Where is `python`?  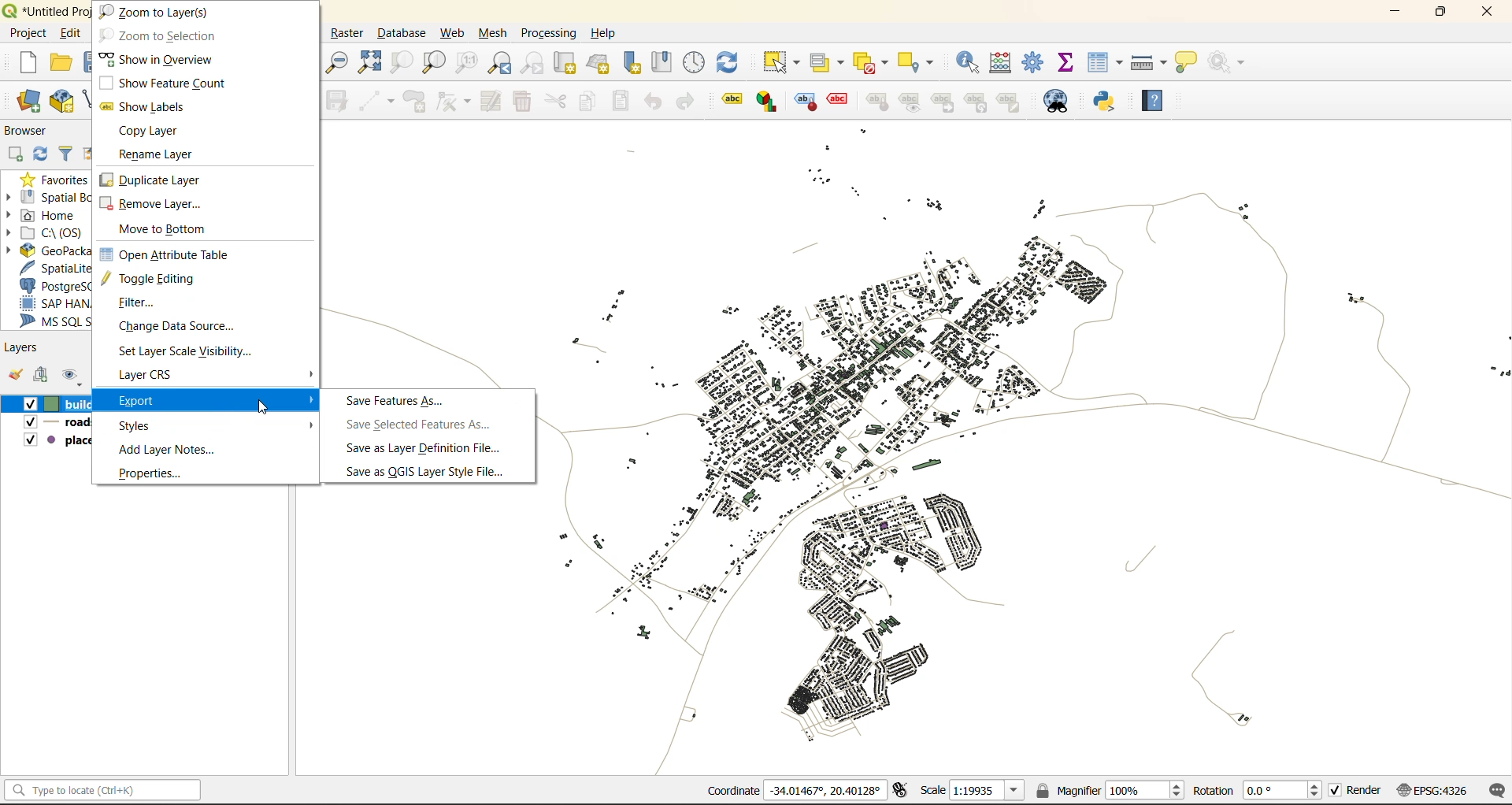
python is located at coordinates (1109, 101).